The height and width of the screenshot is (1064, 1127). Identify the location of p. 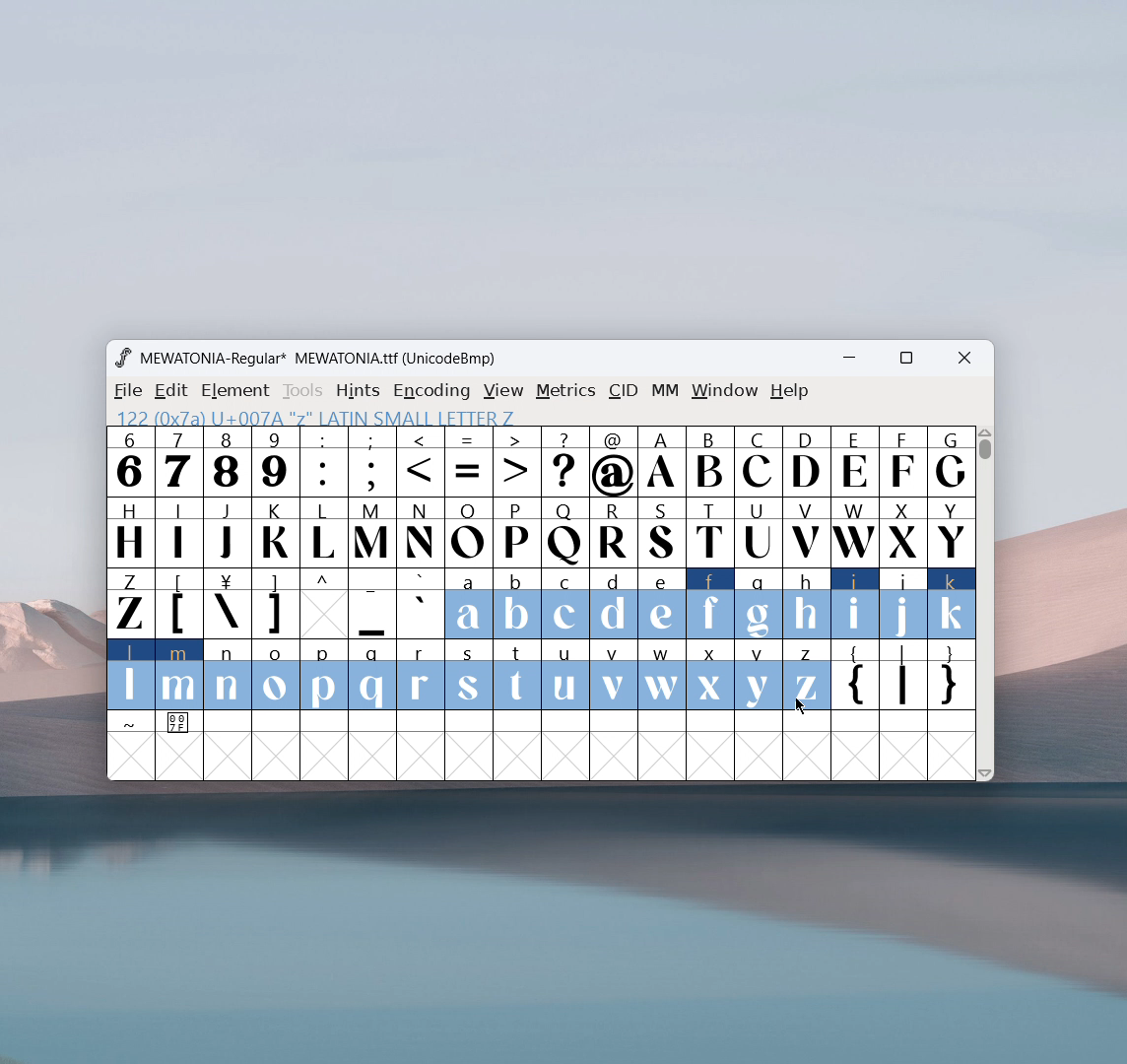
(326, 676).